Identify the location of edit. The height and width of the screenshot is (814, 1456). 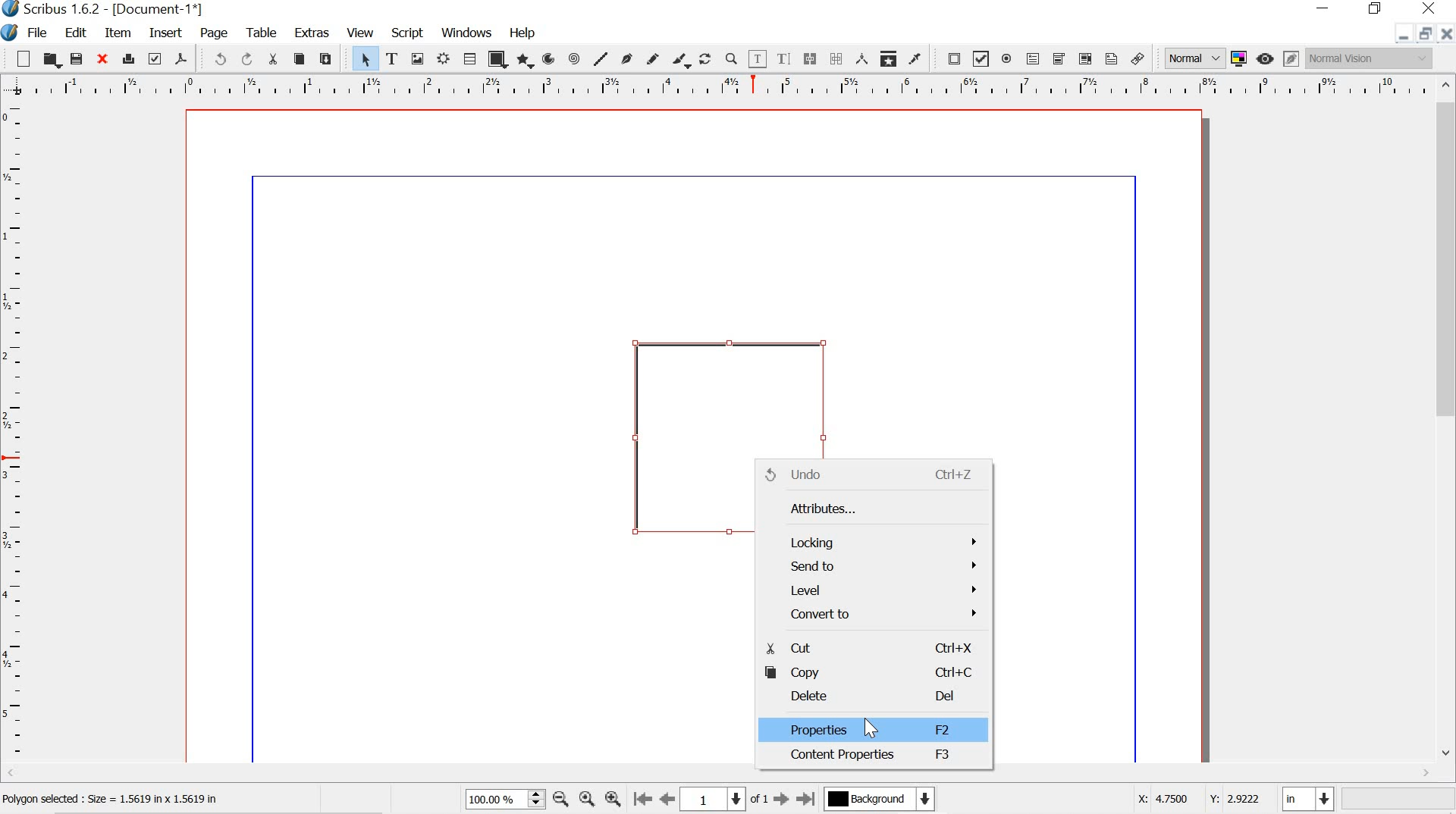
(78, 32).